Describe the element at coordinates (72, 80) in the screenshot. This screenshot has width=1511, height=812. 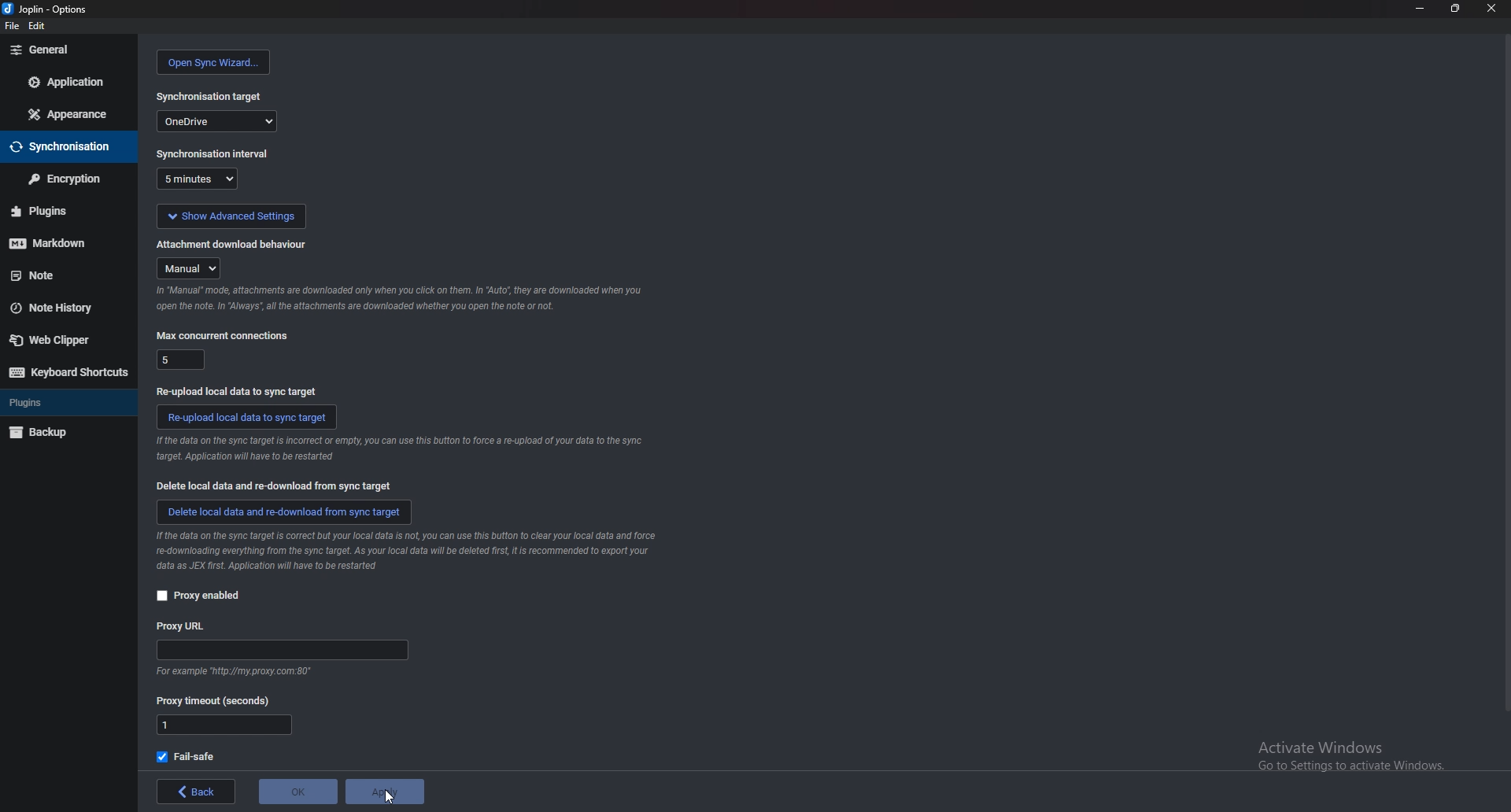
I see `application` at that location.